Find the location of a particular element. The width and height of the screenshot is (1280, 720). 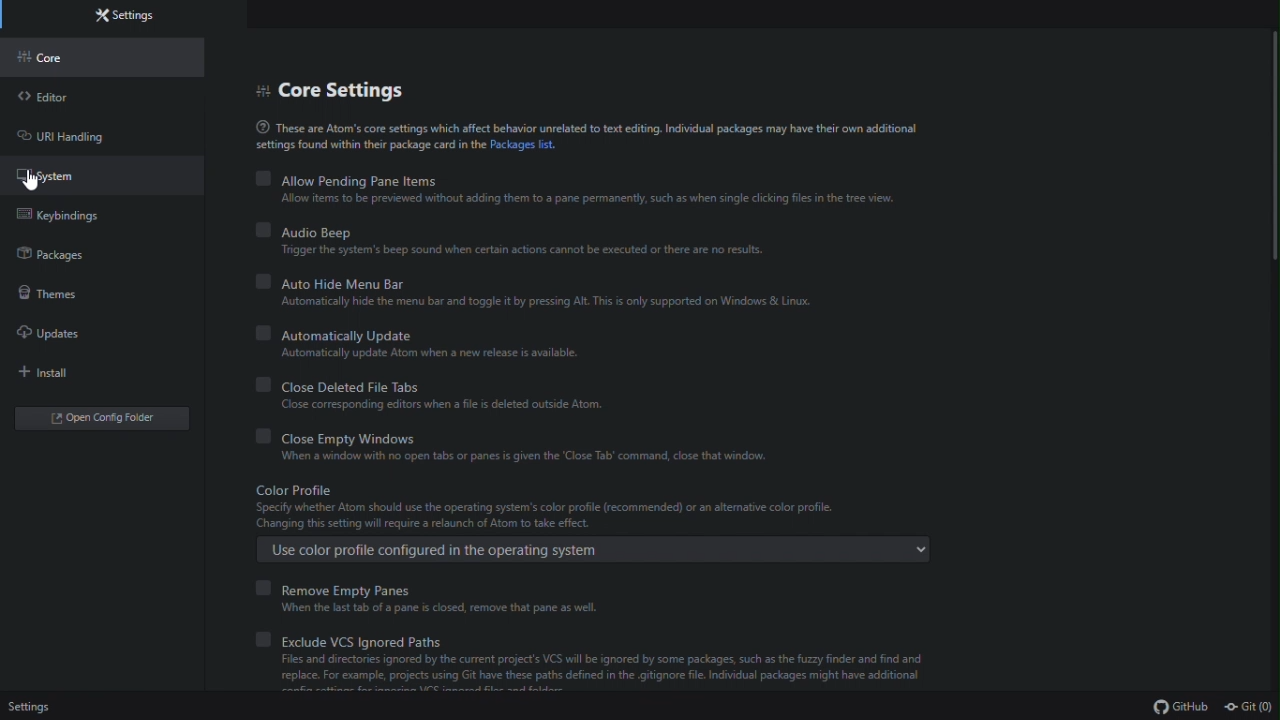

git is located at coordinates (1252, 708).